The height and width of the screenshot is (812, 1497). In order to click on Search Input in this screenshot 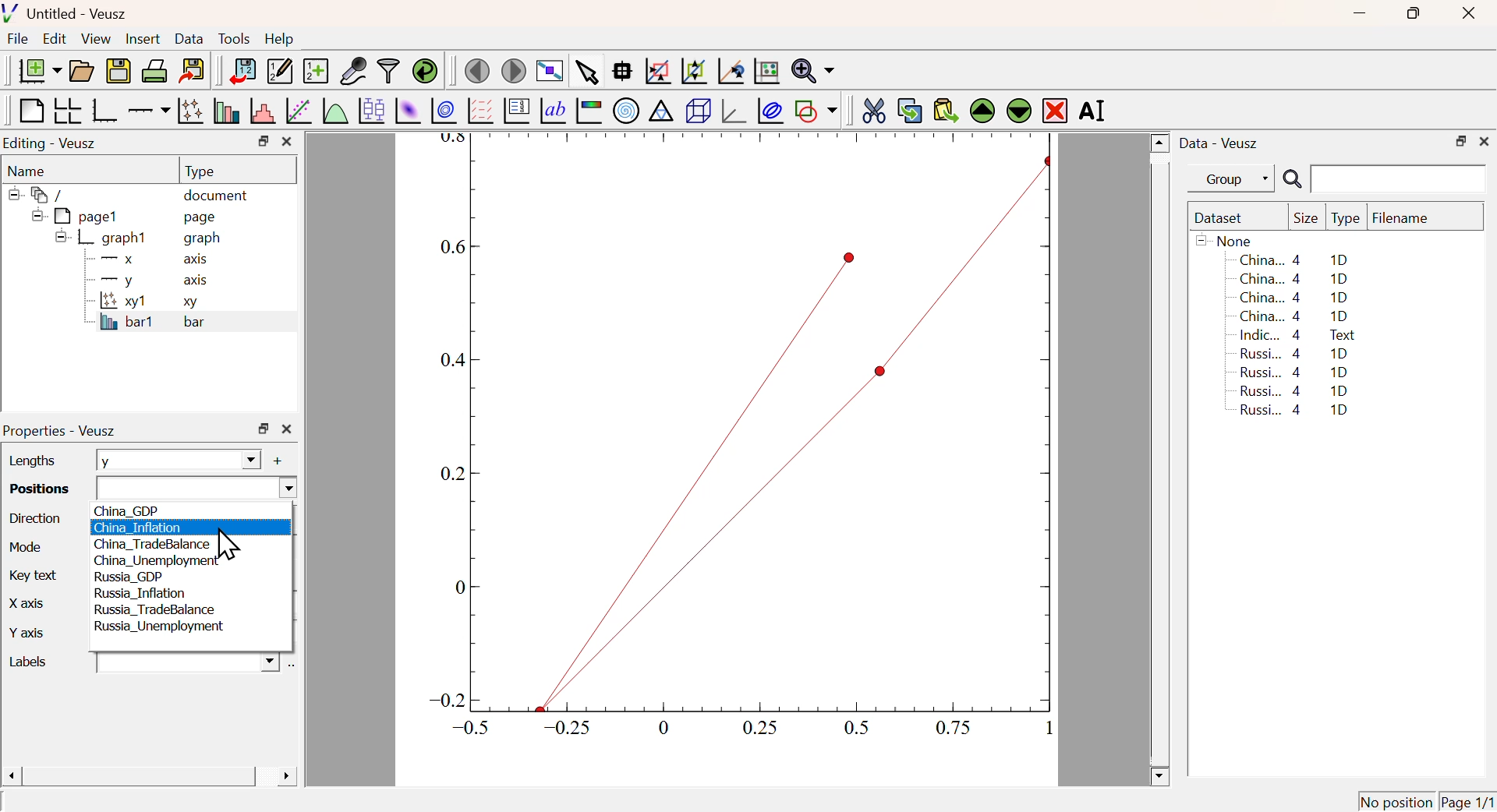, I will do `click(1400, 178)`.